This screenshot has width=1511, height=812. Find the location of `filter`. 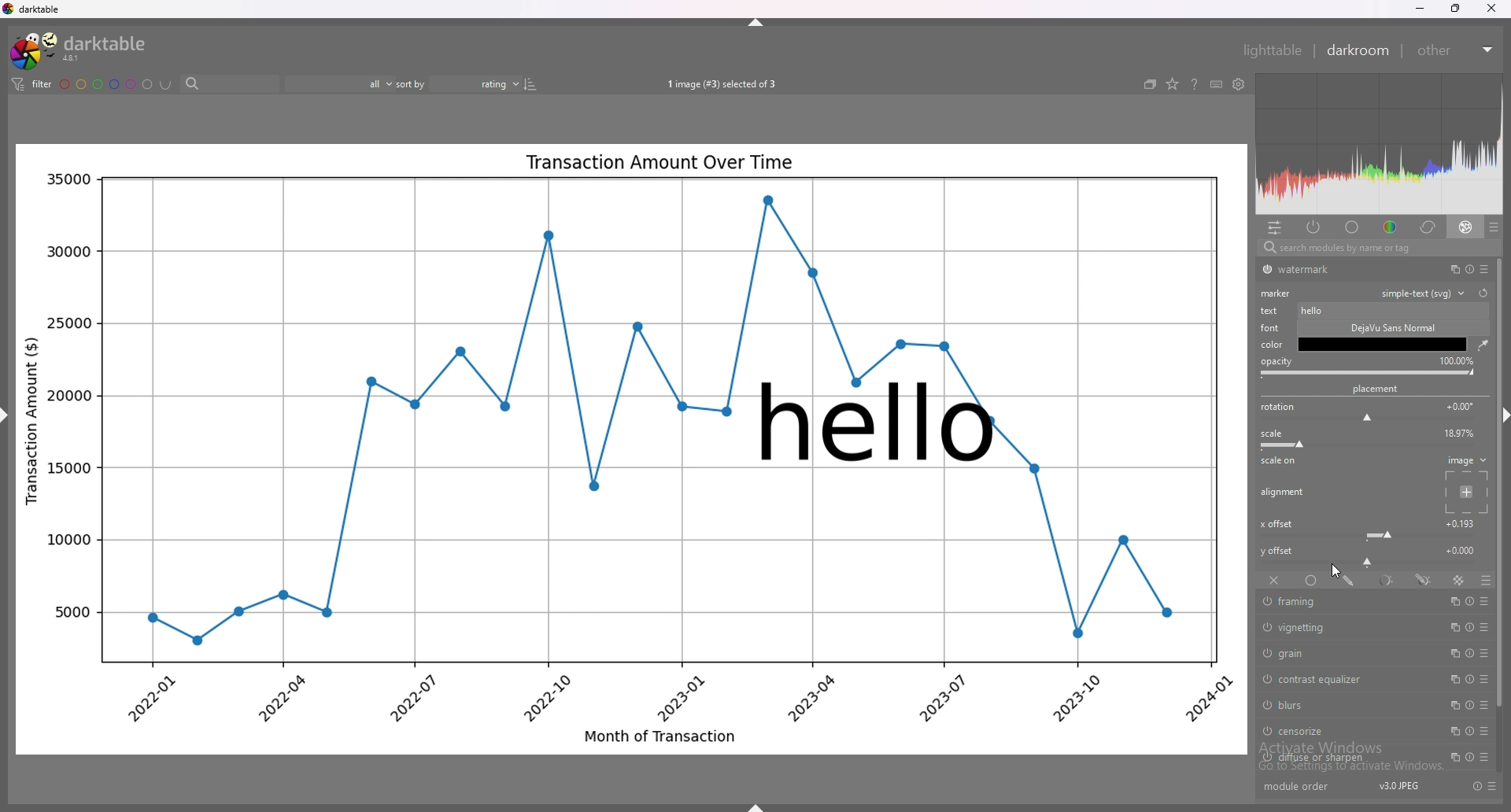

filter is located at coordinates (34, 85).